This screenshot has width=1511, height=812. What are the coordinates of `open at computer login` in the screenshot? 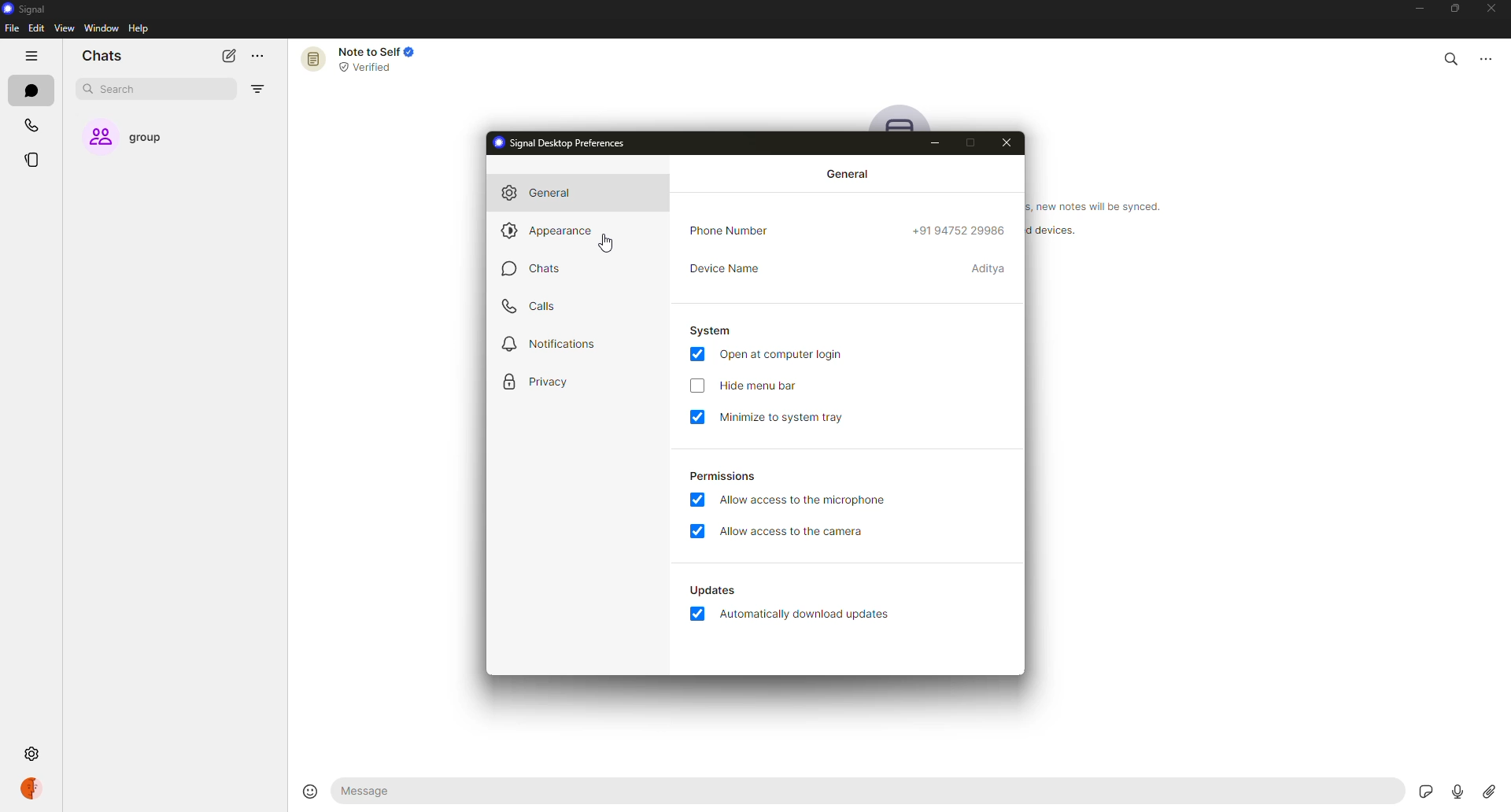 It's located at (781, 355).